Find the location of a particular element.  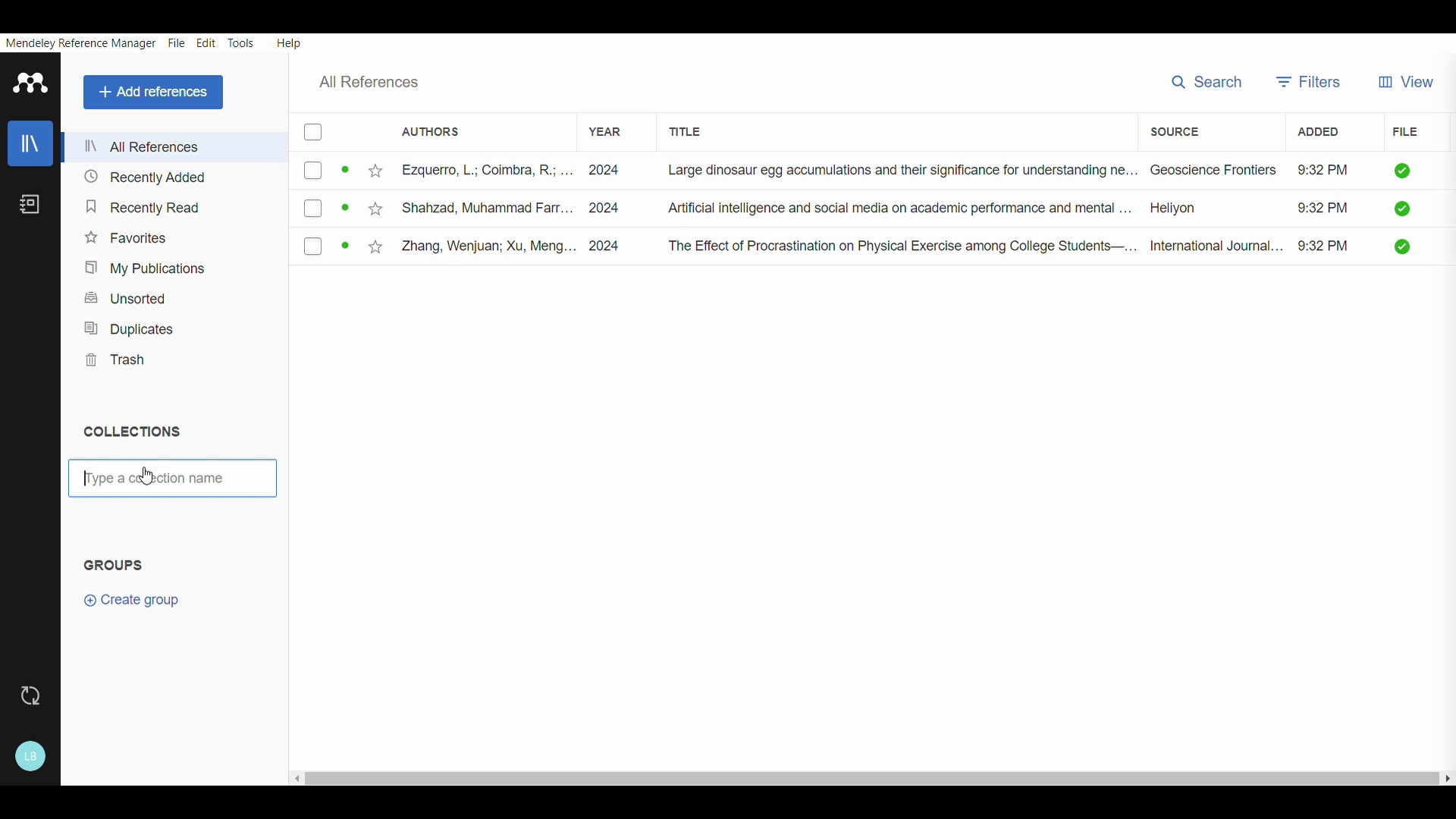

SOURCE is located at coordinates (1173, 130).